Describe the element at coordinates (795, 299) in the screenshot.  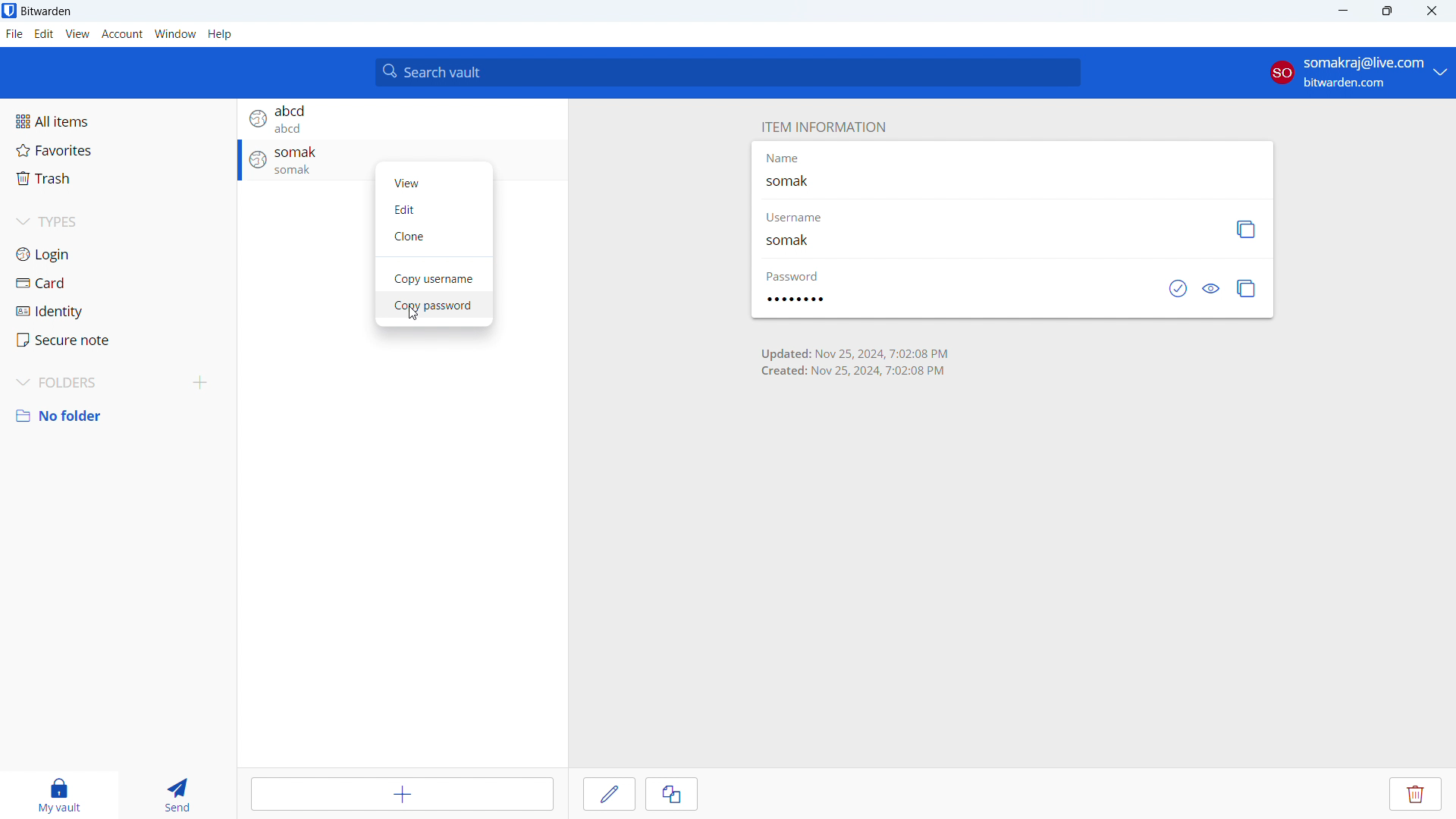
I see `password` at that location.